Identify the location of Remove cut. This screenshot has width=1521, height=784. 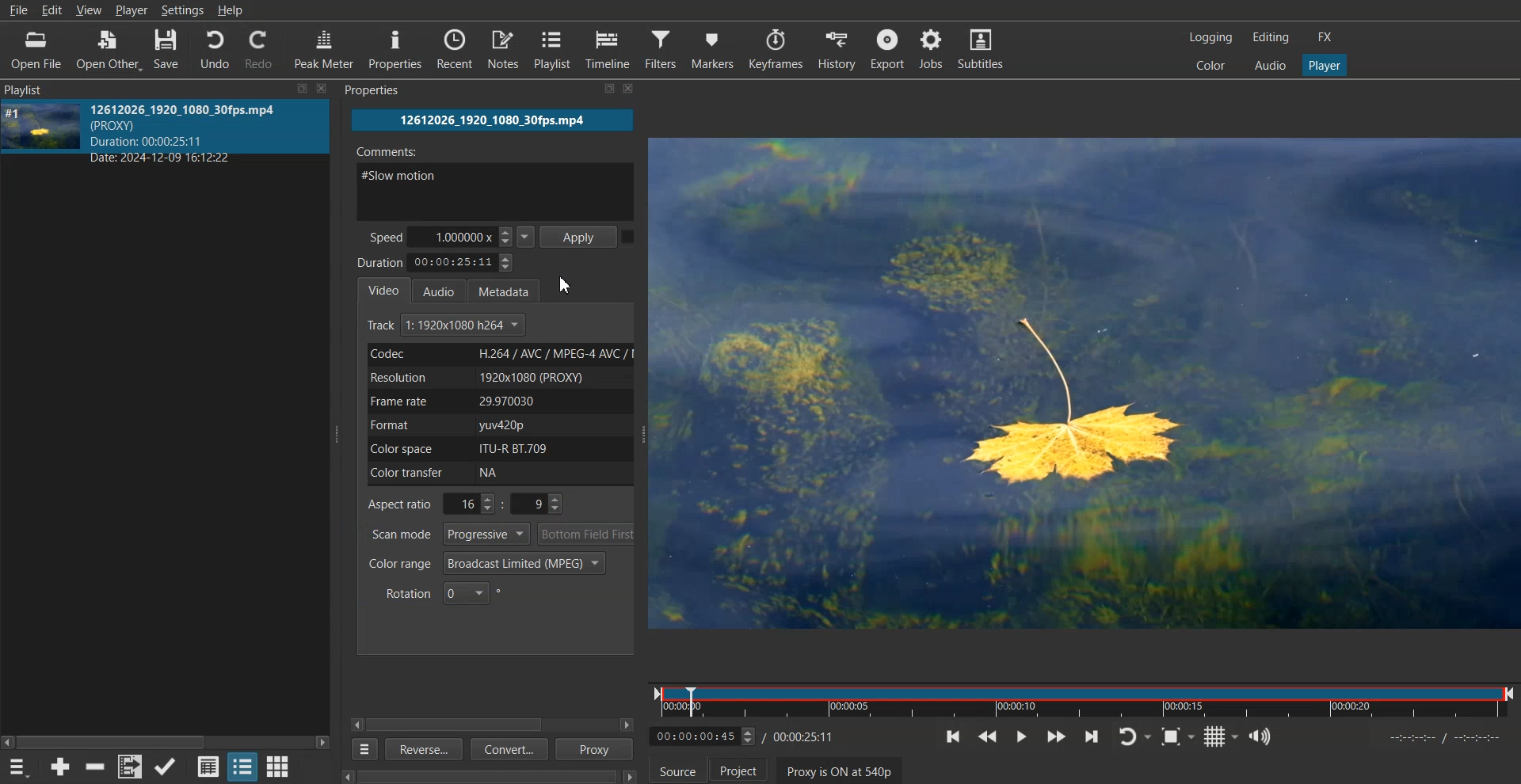
(97, 767).